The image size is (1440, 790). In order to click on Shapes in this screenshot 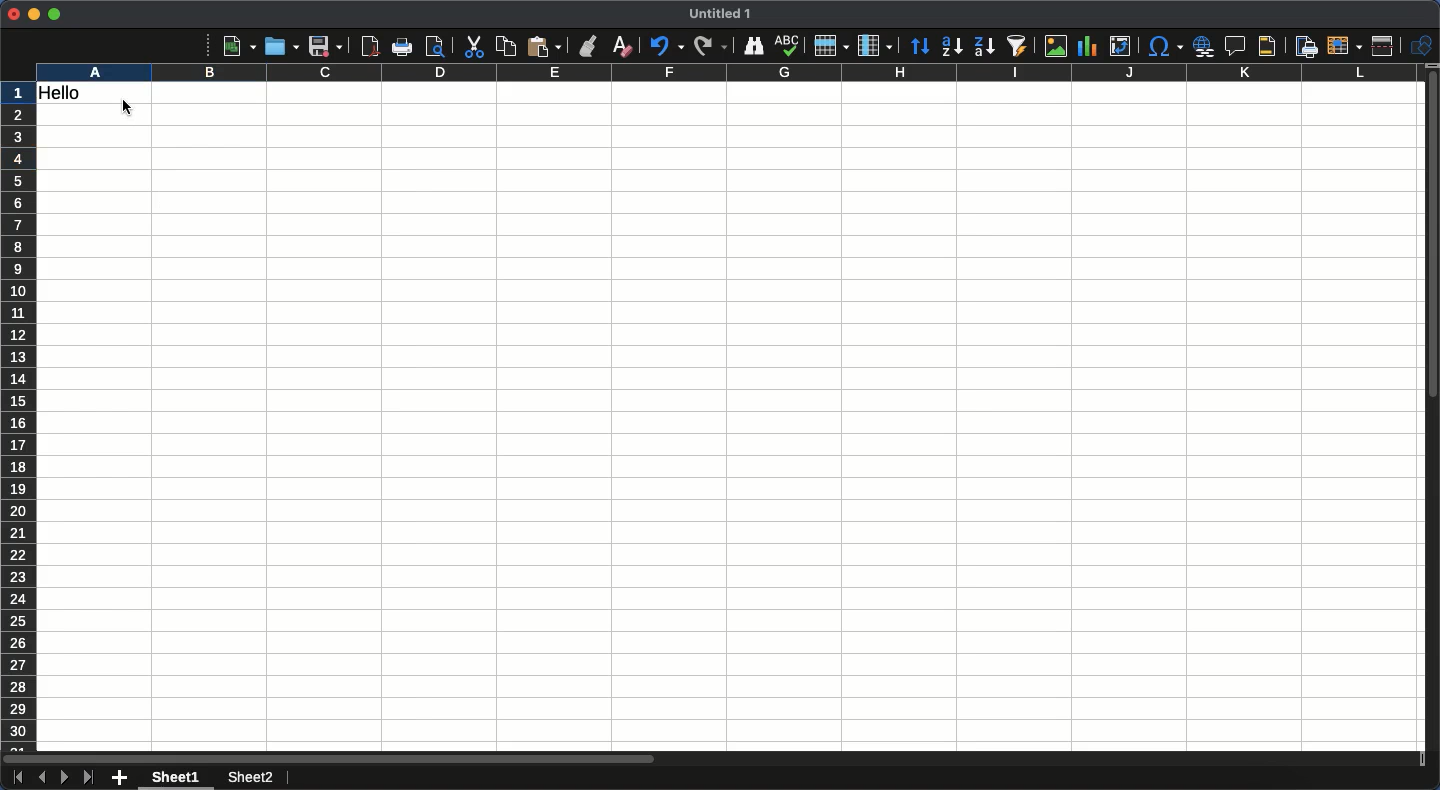, I will do `click(1424, 46)`.